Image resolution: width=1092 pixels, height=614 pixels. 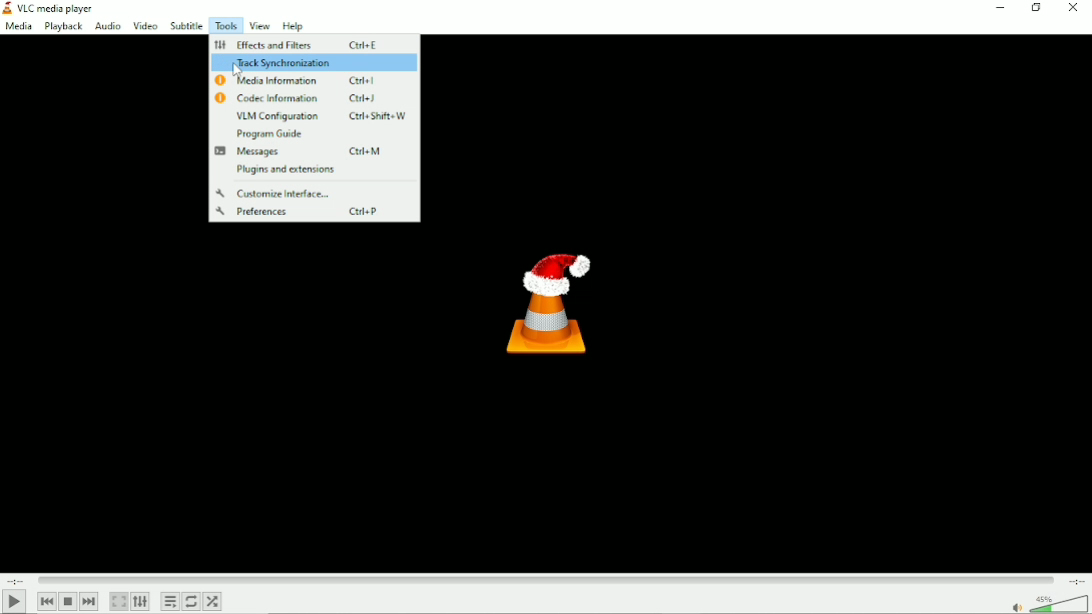 What do you see at coordinates (237, 71) in the screenshot?
I see `Cursor` at bounding box center [237, 71].